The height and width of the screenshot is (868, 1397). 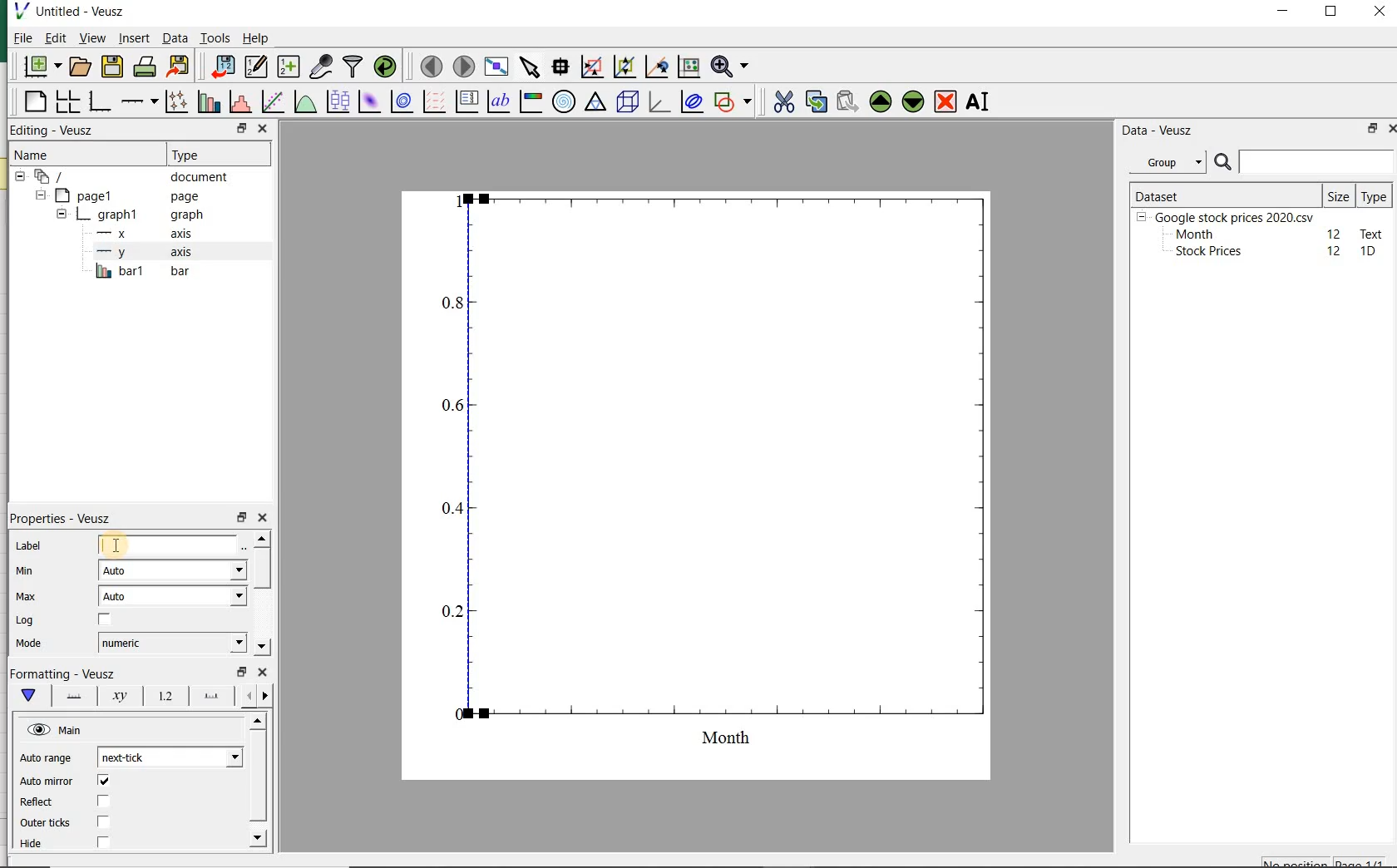 I want to click on major ticks, so click(x=209, y=698).